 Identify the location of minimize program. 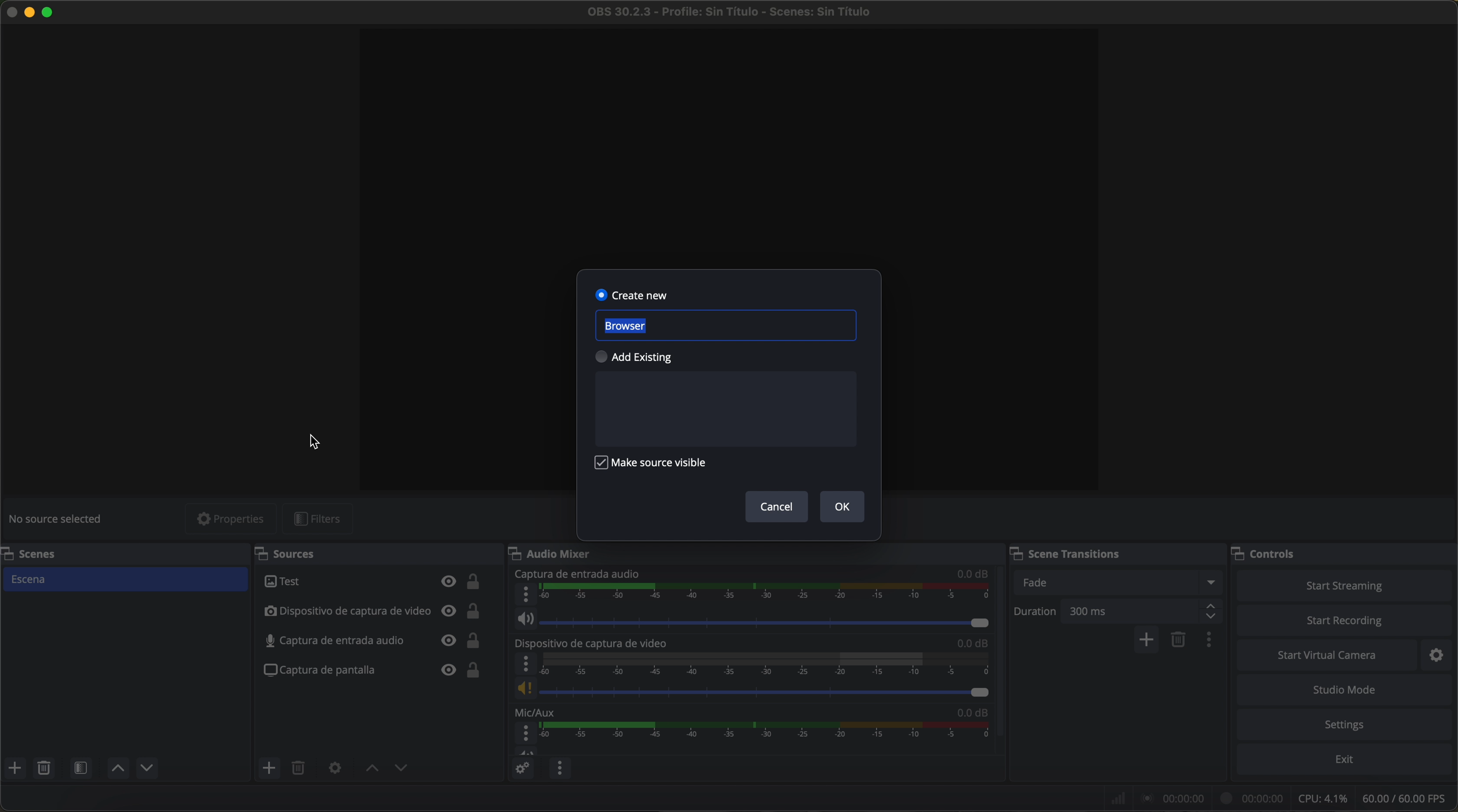
(29, 14).